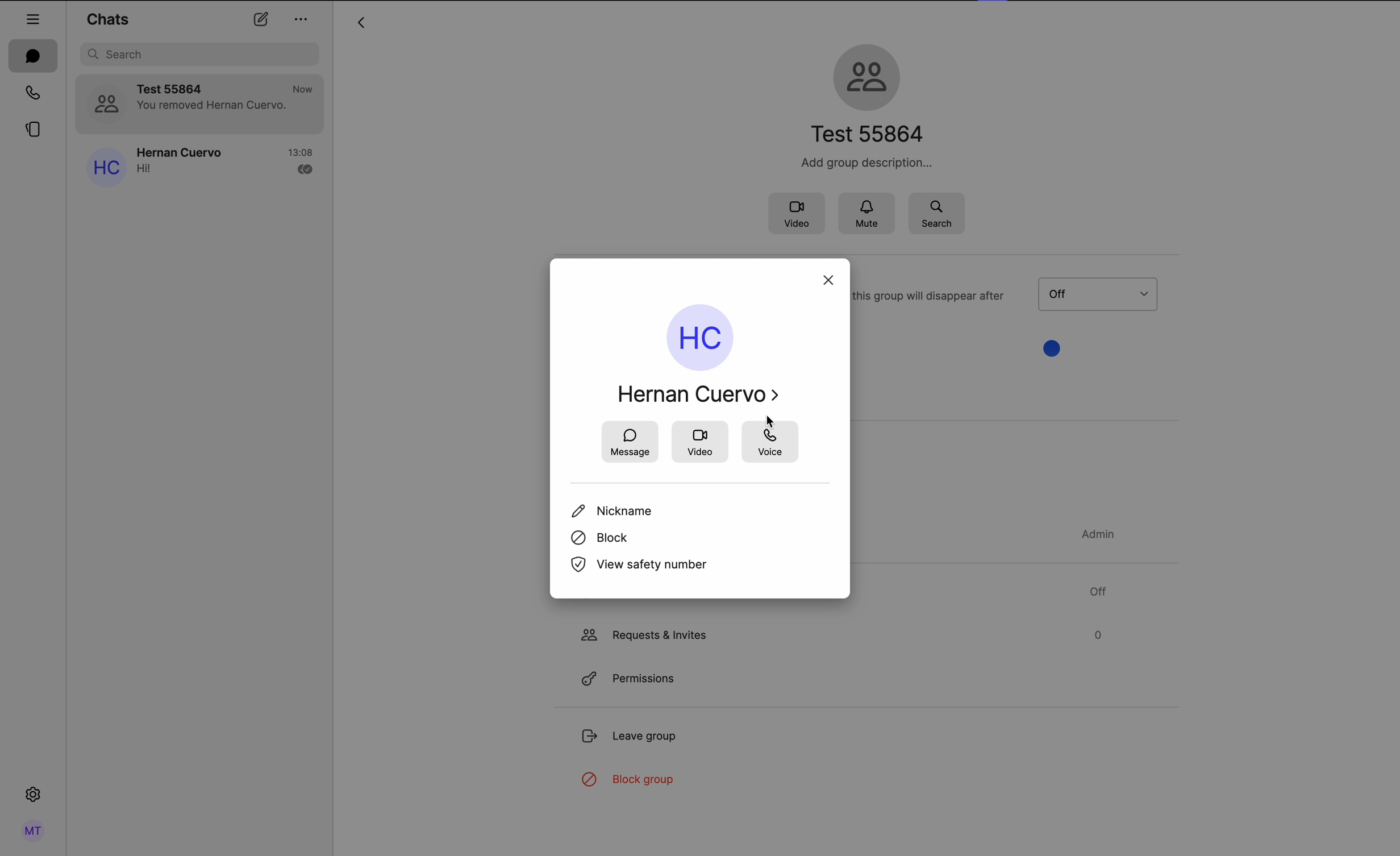 The width and height of the screenshot is (1400, 856). Describe the element at coordinates (260, 21) in the screenshot. I see `new chat` at that location.